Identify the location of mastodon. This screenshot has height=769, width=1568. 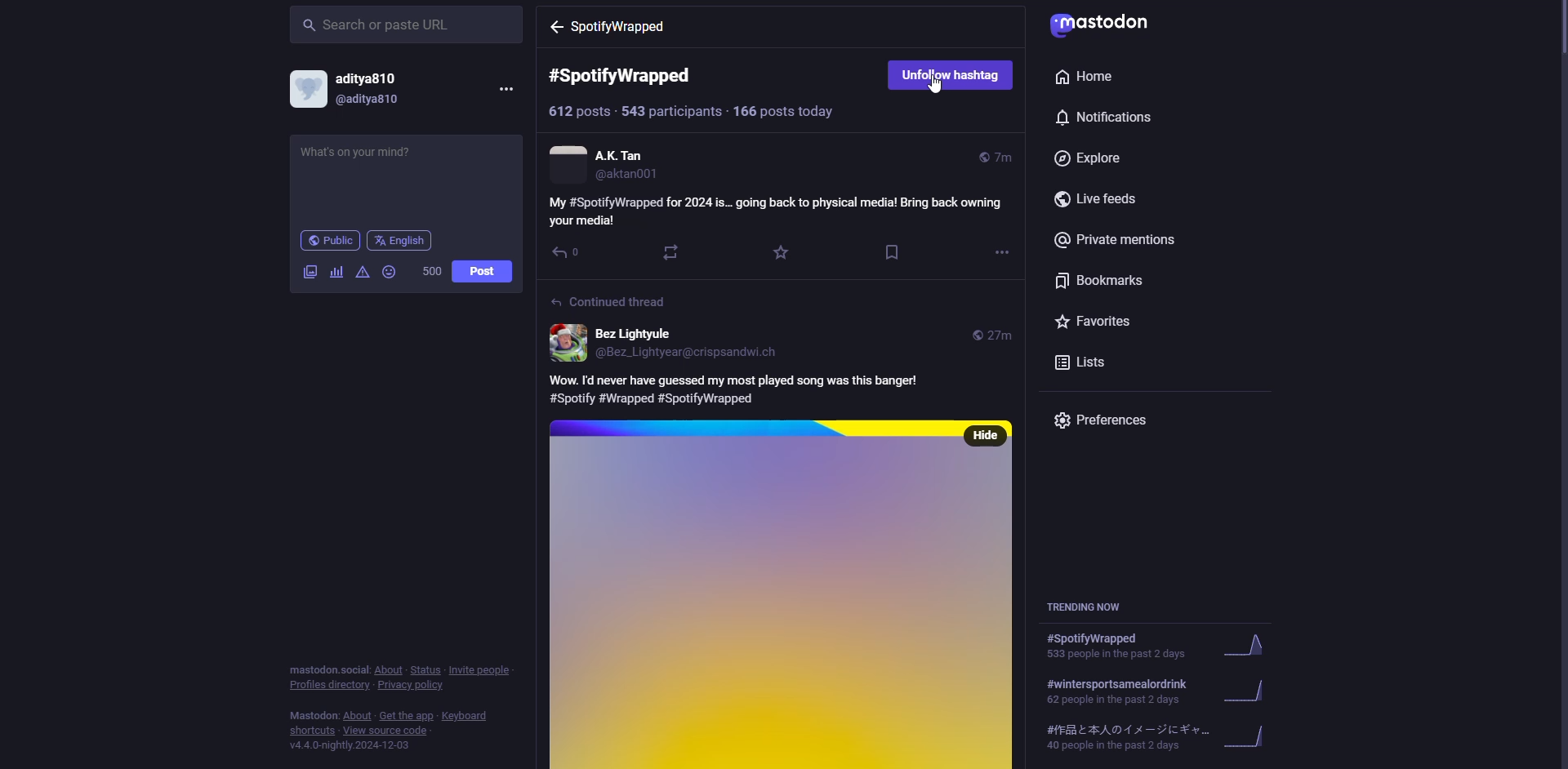
(1108, 24).